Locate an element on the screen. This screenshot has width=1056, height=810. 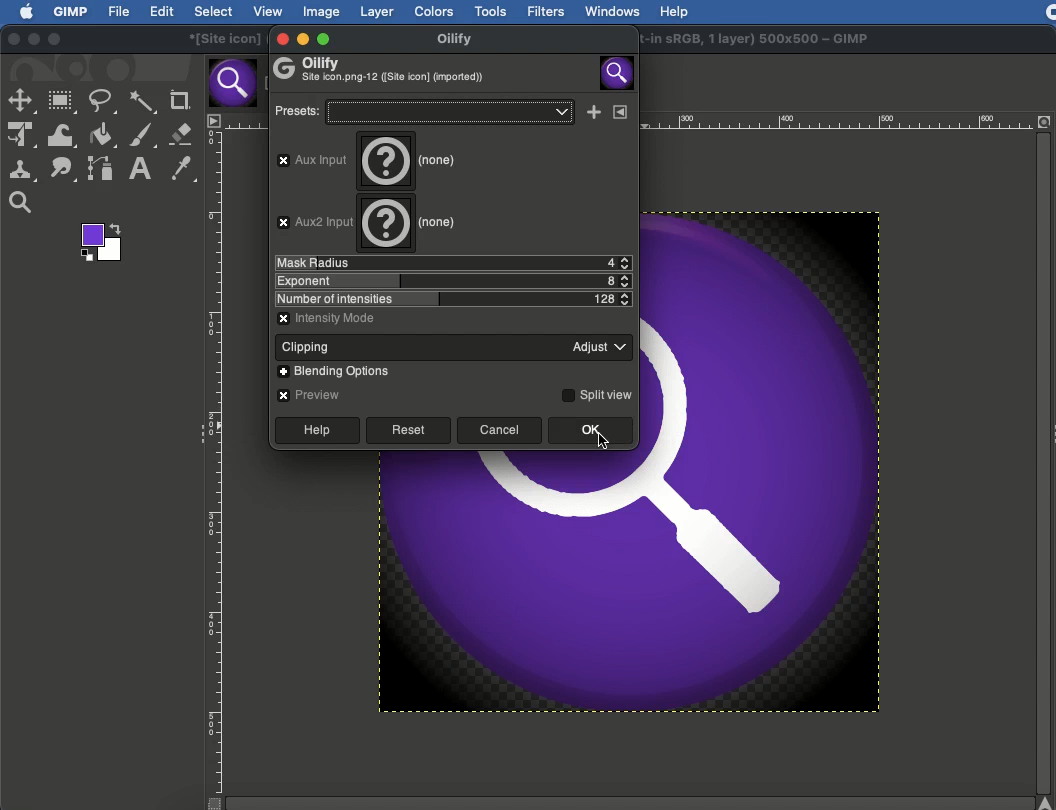
Ok is located at coordinates (593, 430).